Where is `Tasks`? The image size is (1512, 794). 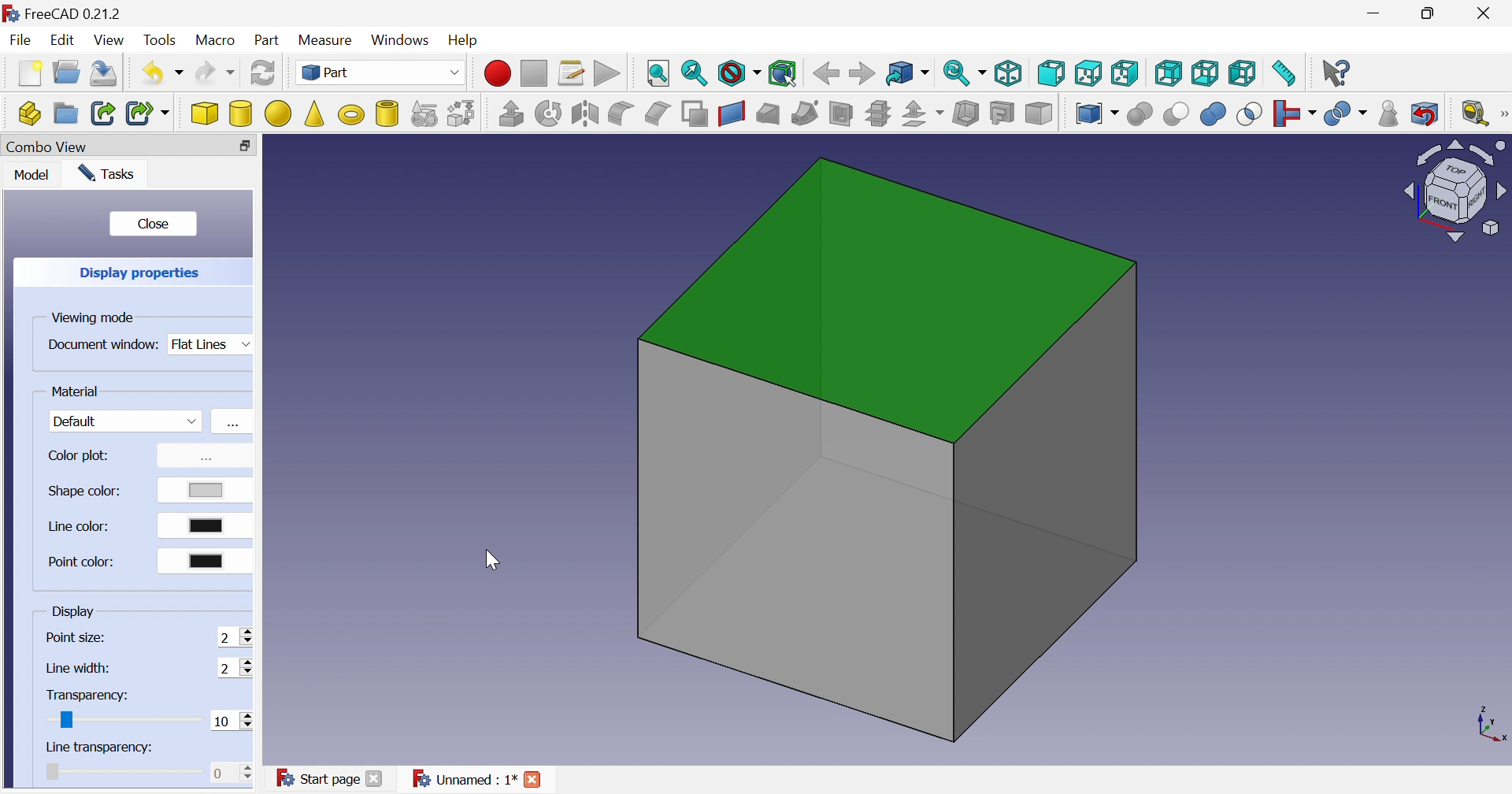 Tasks is located at coordinates (108, 173).